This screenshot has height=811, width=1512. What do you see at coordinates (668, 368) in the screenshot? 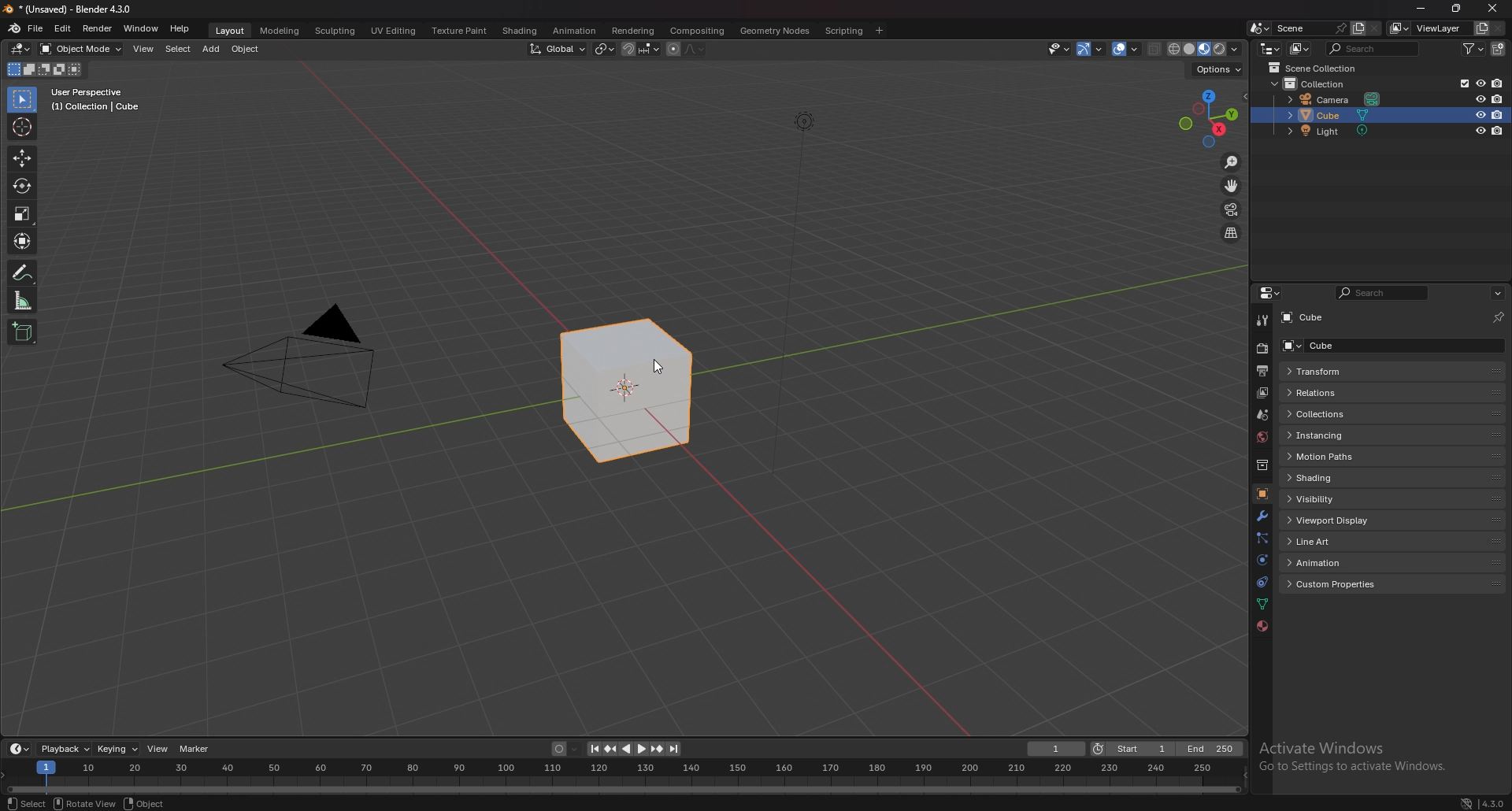
I see `cursor` at bounding box center [668, 368].